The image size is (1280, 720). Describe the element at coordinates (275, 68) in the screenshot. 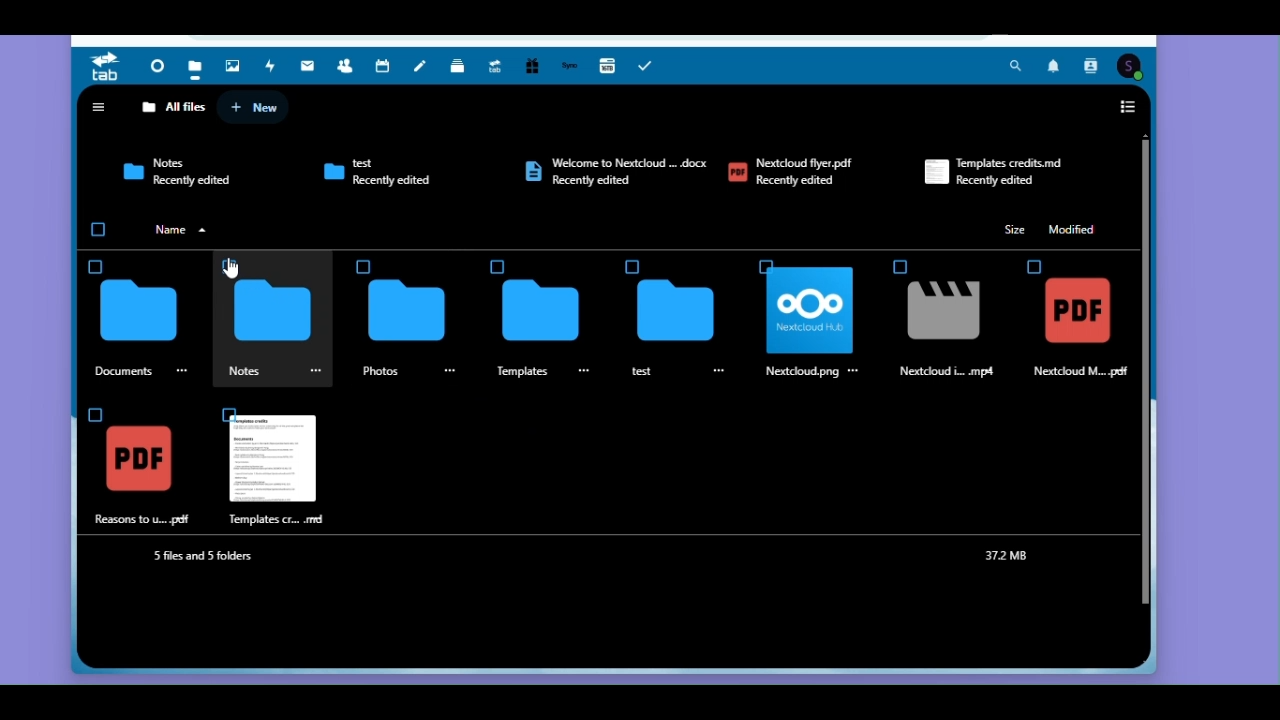

I see `Activity ` at that location.